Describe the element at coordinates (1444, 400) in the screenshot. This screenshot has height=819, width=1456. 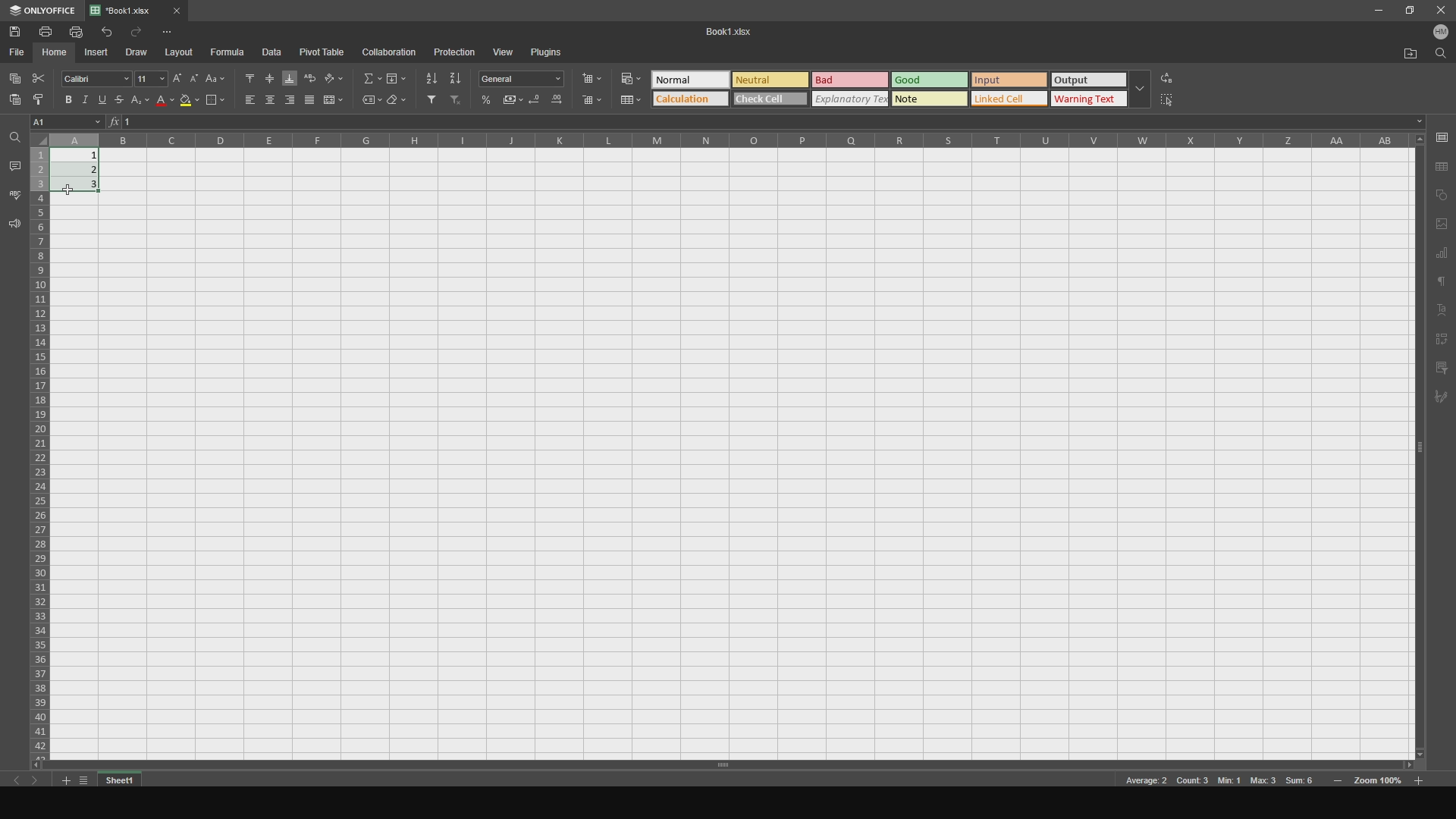
I see `signature` at that location.